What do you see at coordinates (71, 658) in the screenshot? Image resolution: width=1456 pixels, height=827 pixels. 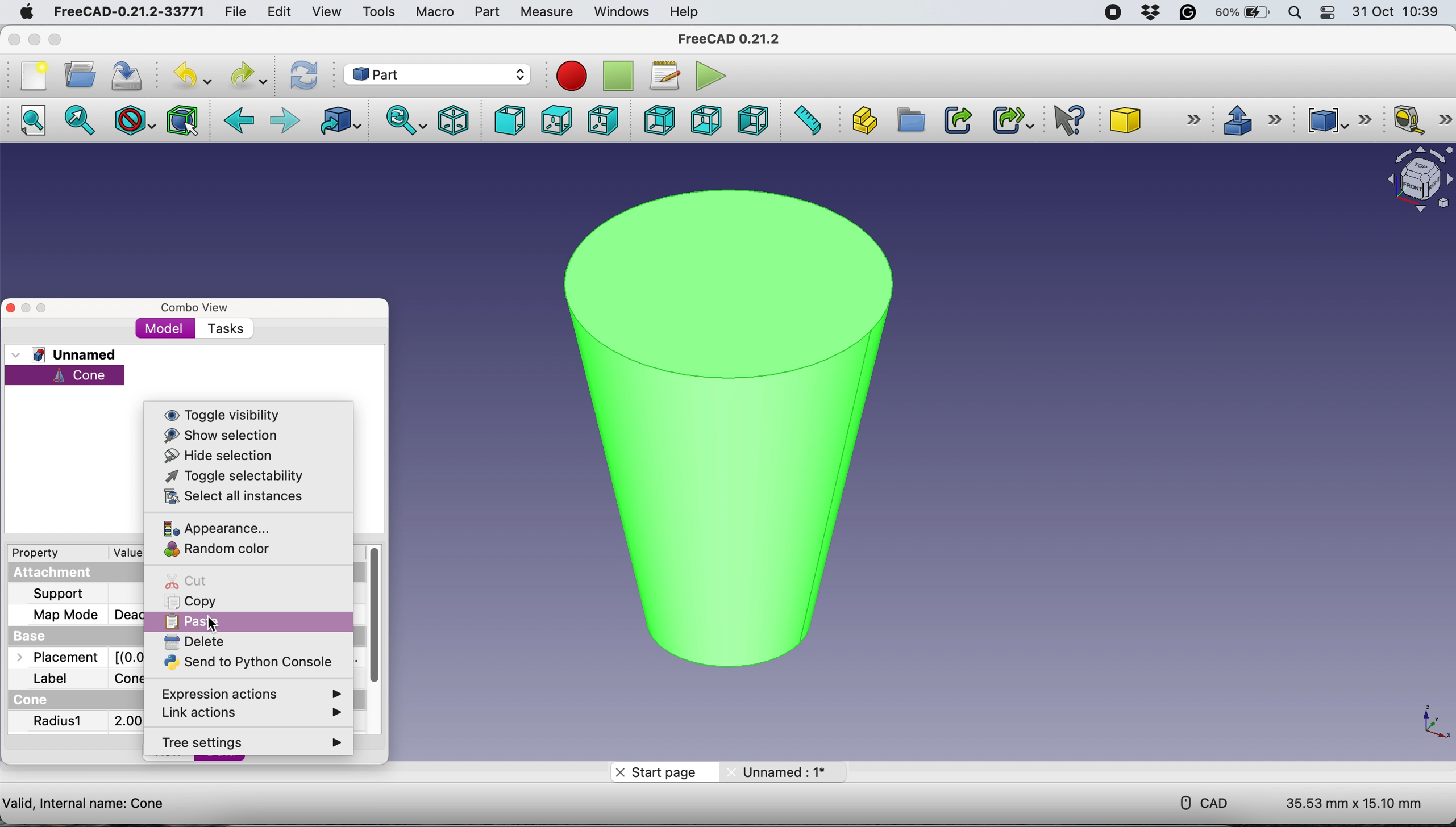 I see `placement` at bounding box center [71, 658].